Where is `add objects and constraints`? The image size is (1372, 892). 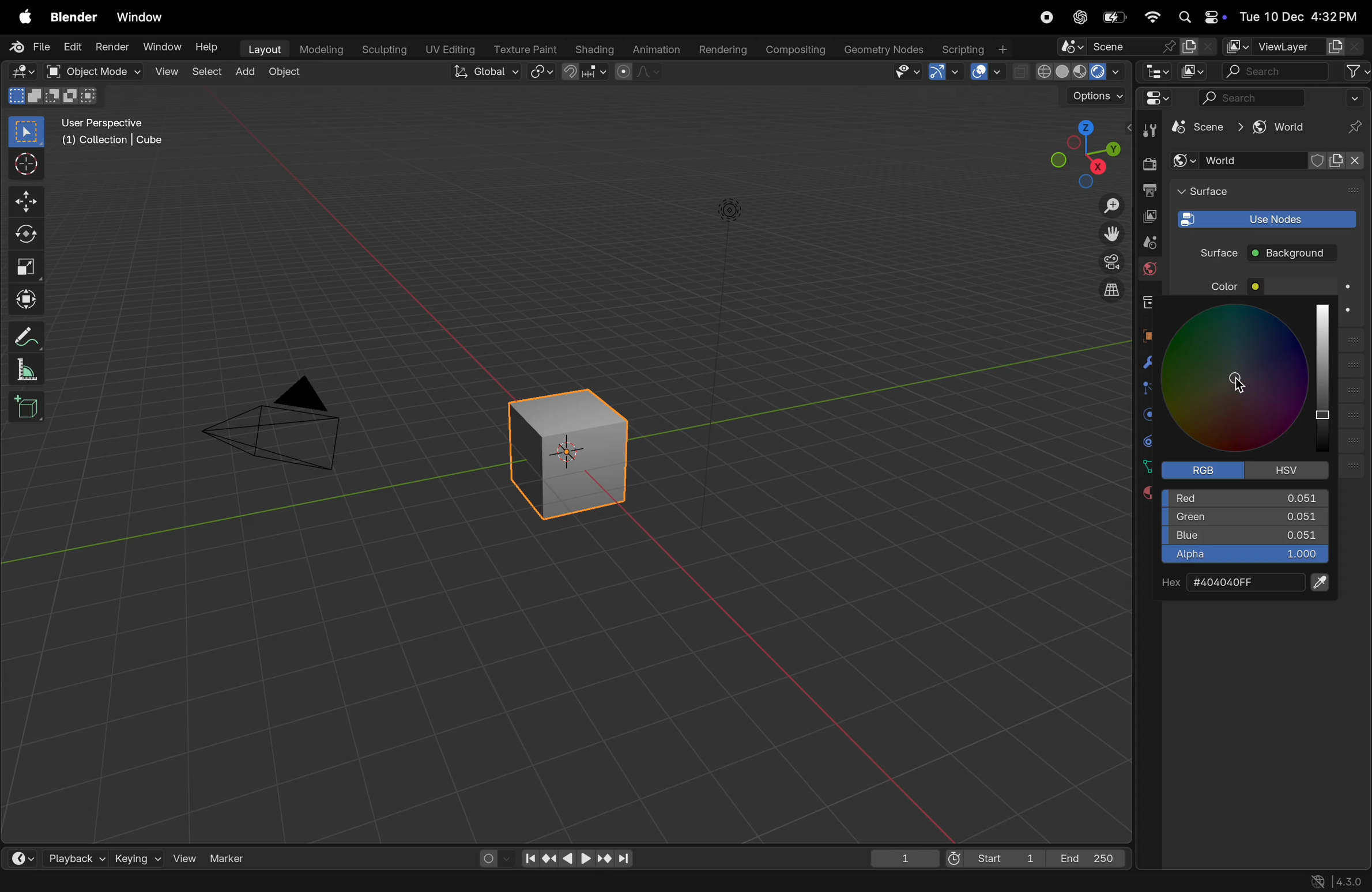
add objects and constraints is located at coordinates (1269, 161).